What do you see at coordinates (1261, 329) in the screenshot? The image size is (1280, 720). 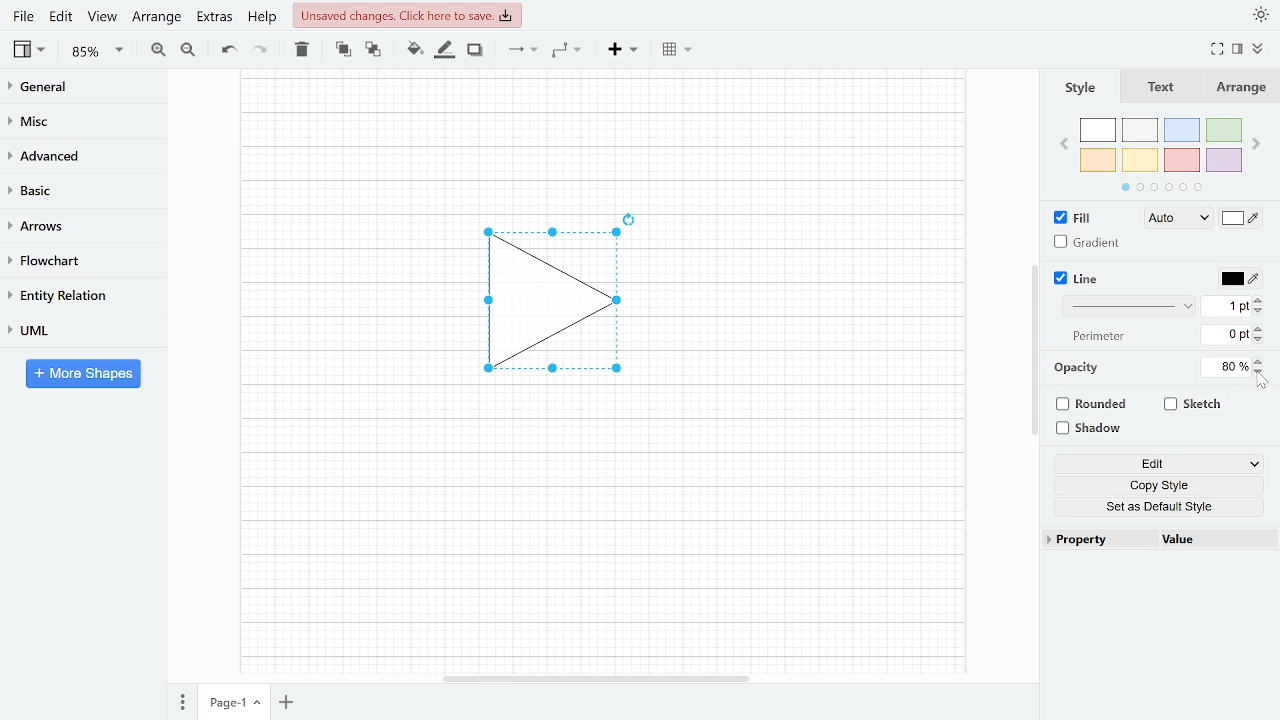 I see `Increase perimeter` at bounding box center [1261, 329].